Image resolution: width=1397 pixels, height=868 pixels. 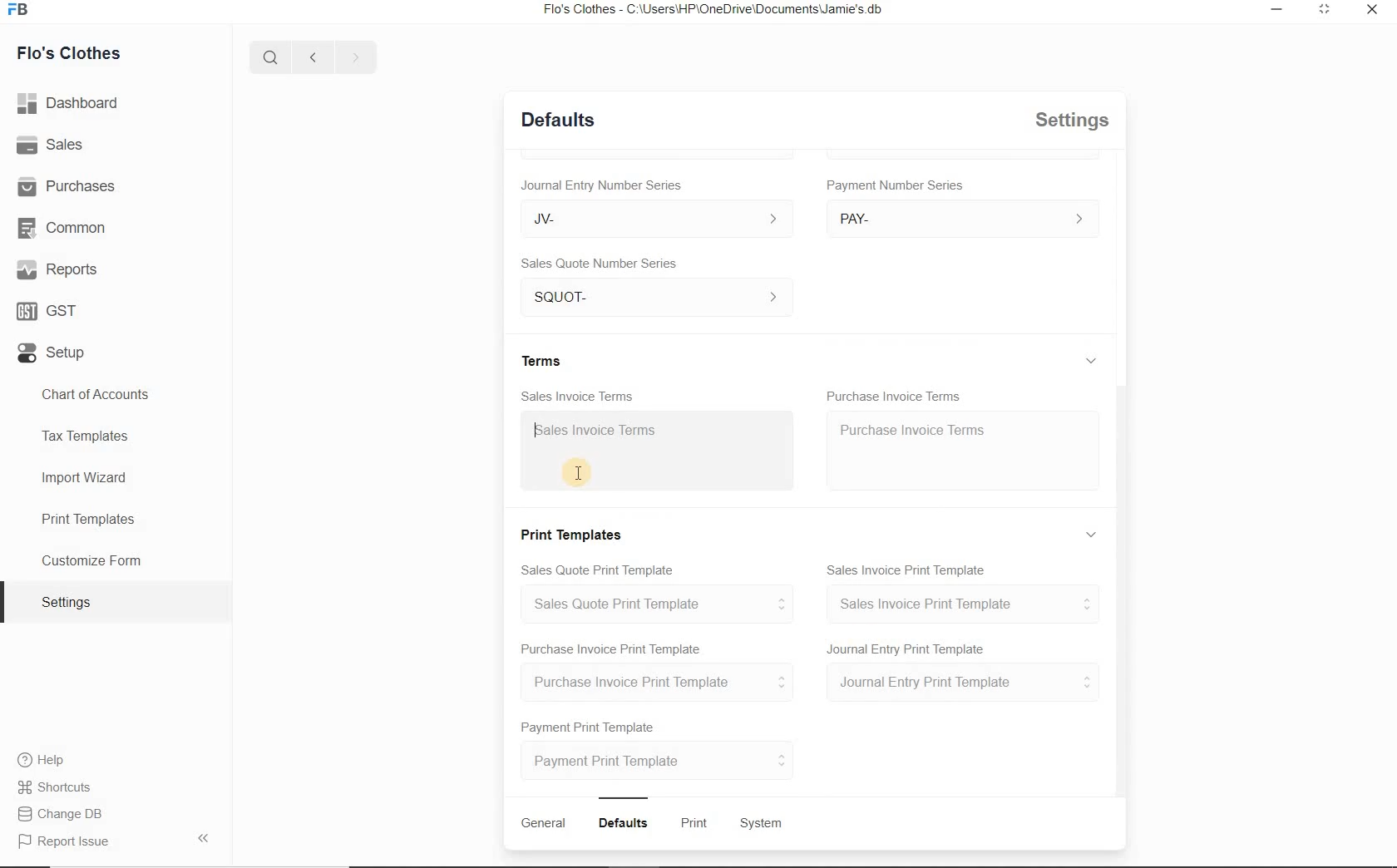 What do you see at coordinates (1090, 532) in the screenshot?
I see `Expand` at bounding box center [1090, 532].